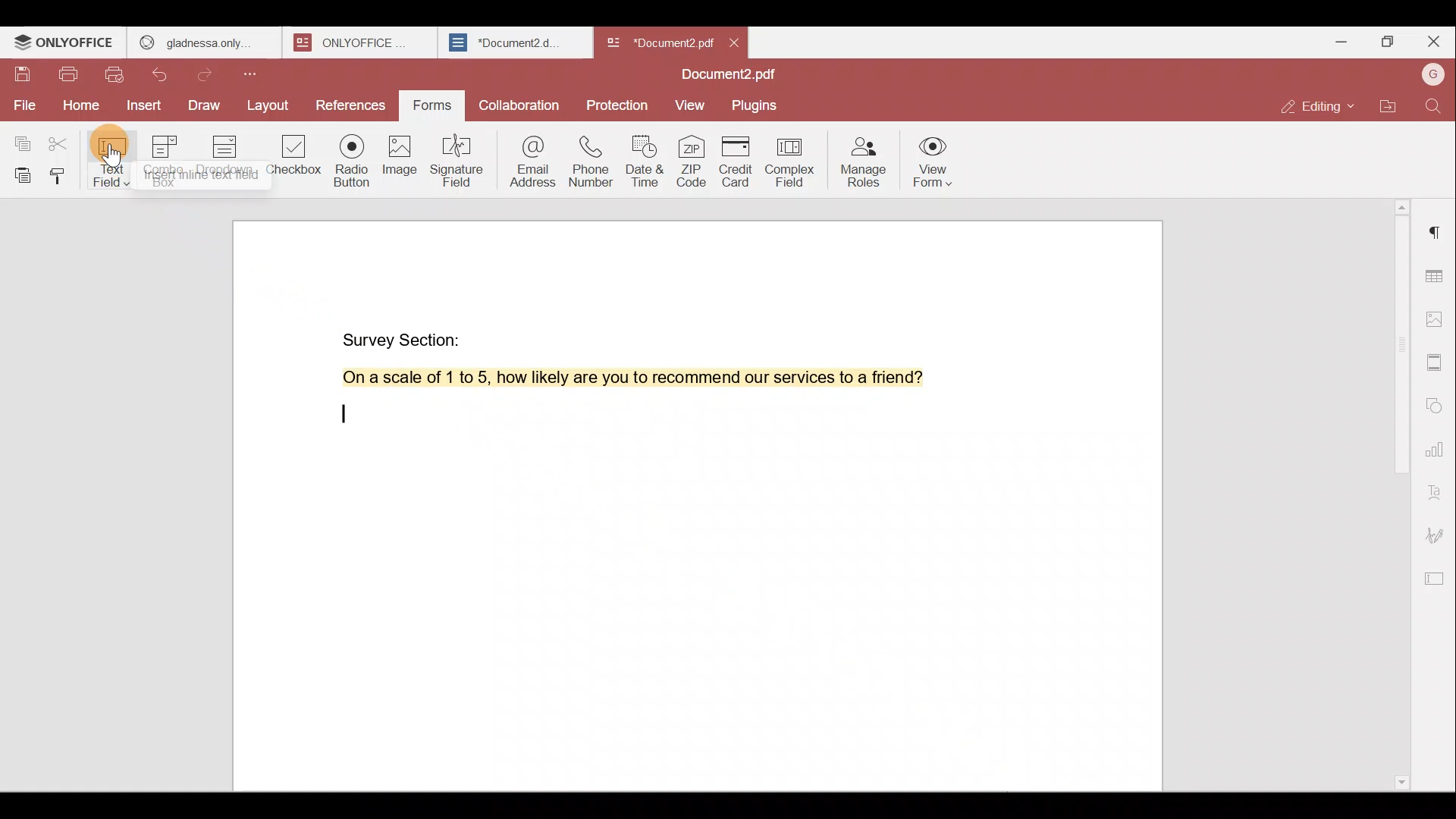 This screenshot has width=1456, height=819. What do you see at coordinates (144, 107) in the screenshot?
I see `Insert` at bounding box center [144, 107].